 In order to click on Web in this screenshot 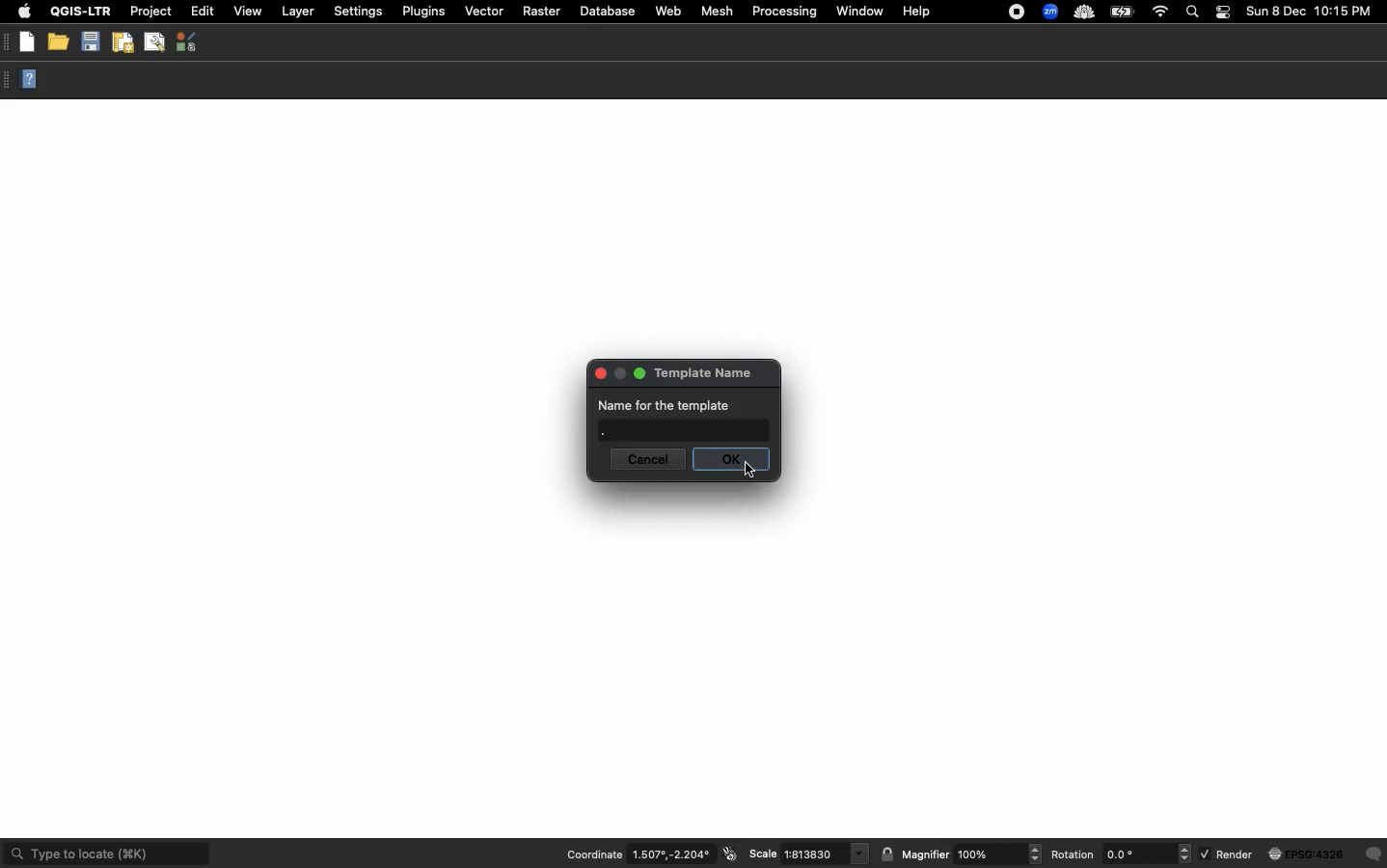, I will do `click(669, 10)`.